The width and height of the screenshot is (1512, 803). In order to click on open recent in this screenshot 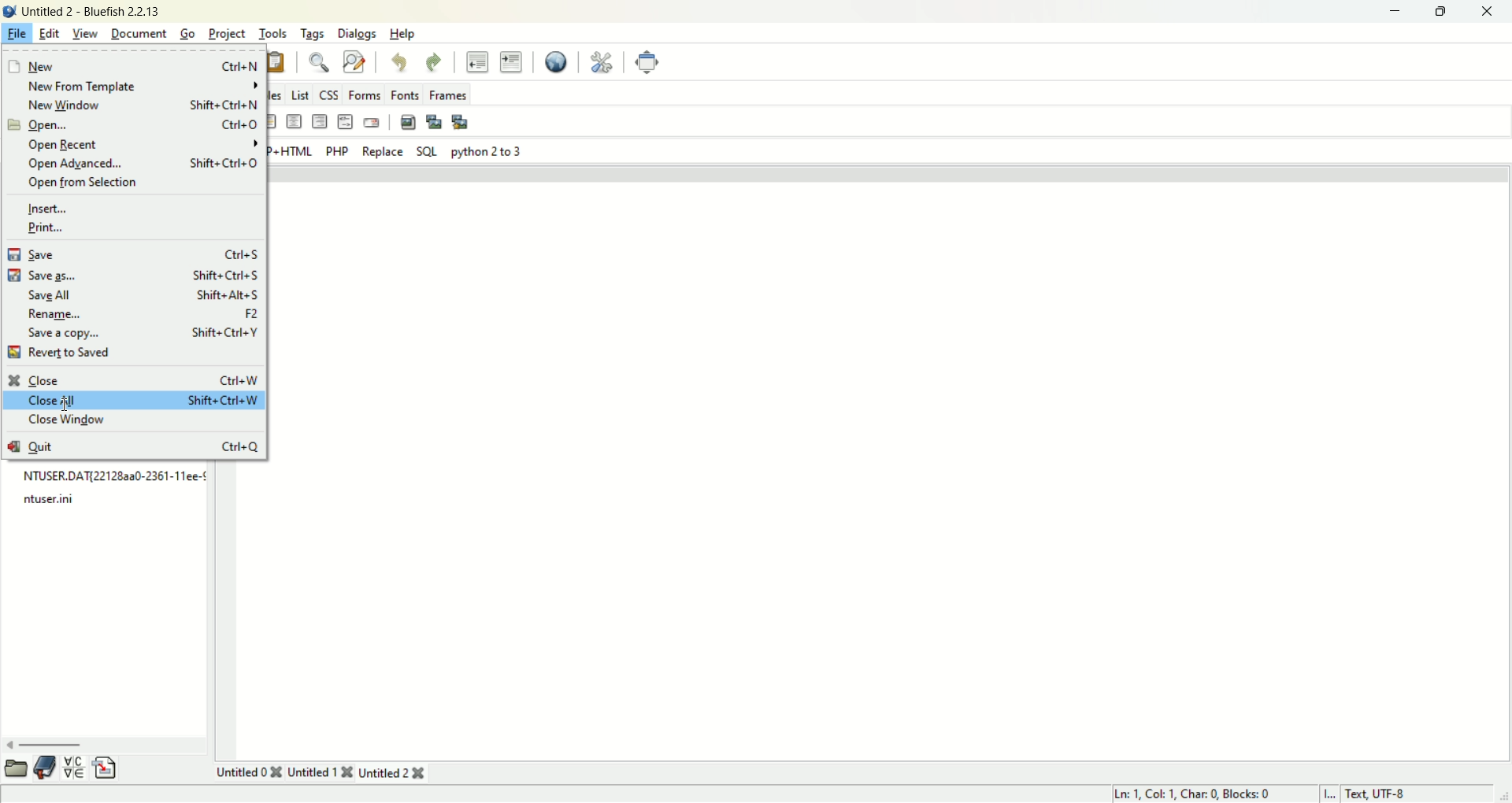, I will do `click(145, 145)`.